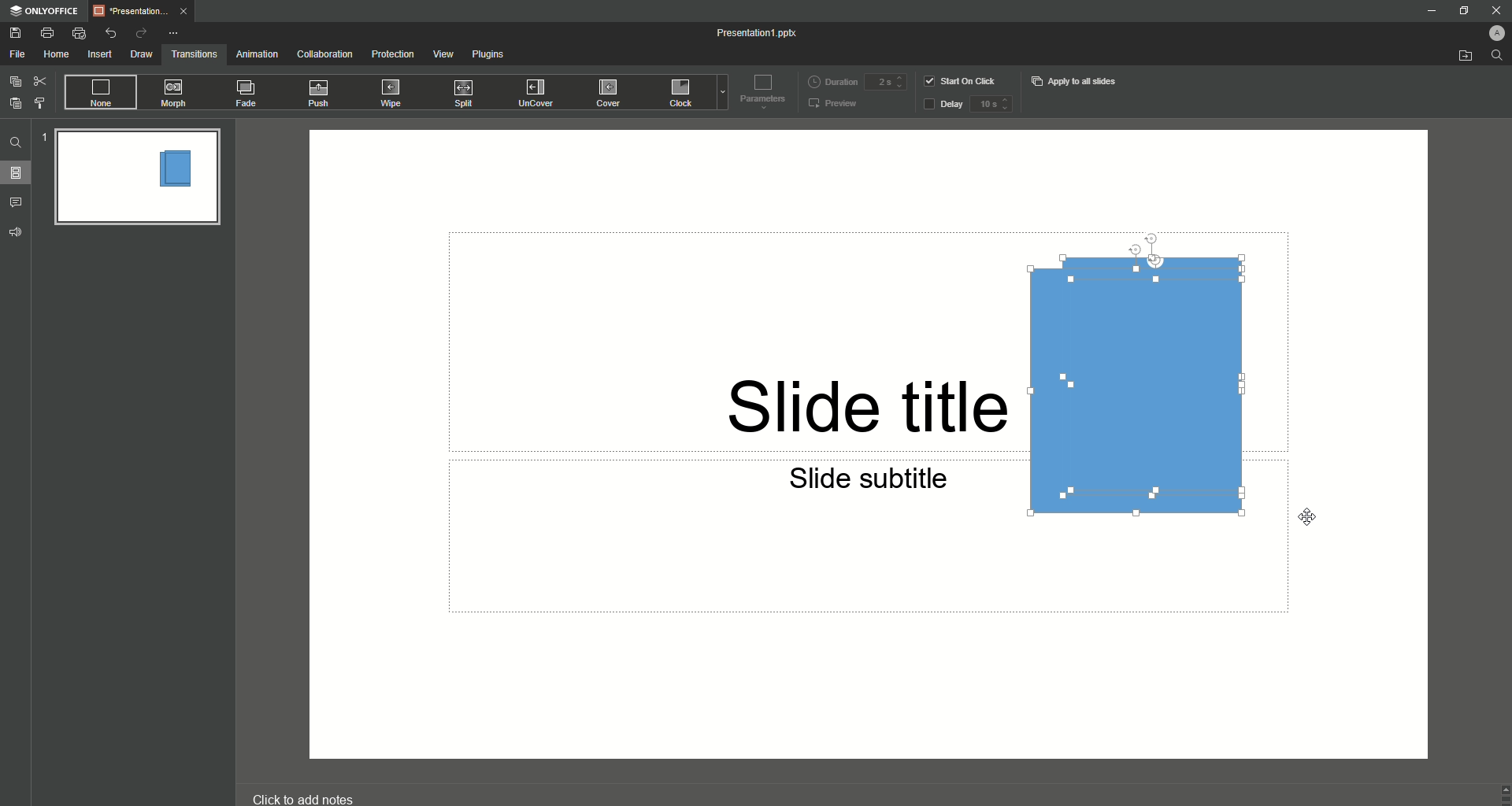  Describe the element at coordinates (1076, 81) in the screenshot. I see `Apply to all slides` at that location.